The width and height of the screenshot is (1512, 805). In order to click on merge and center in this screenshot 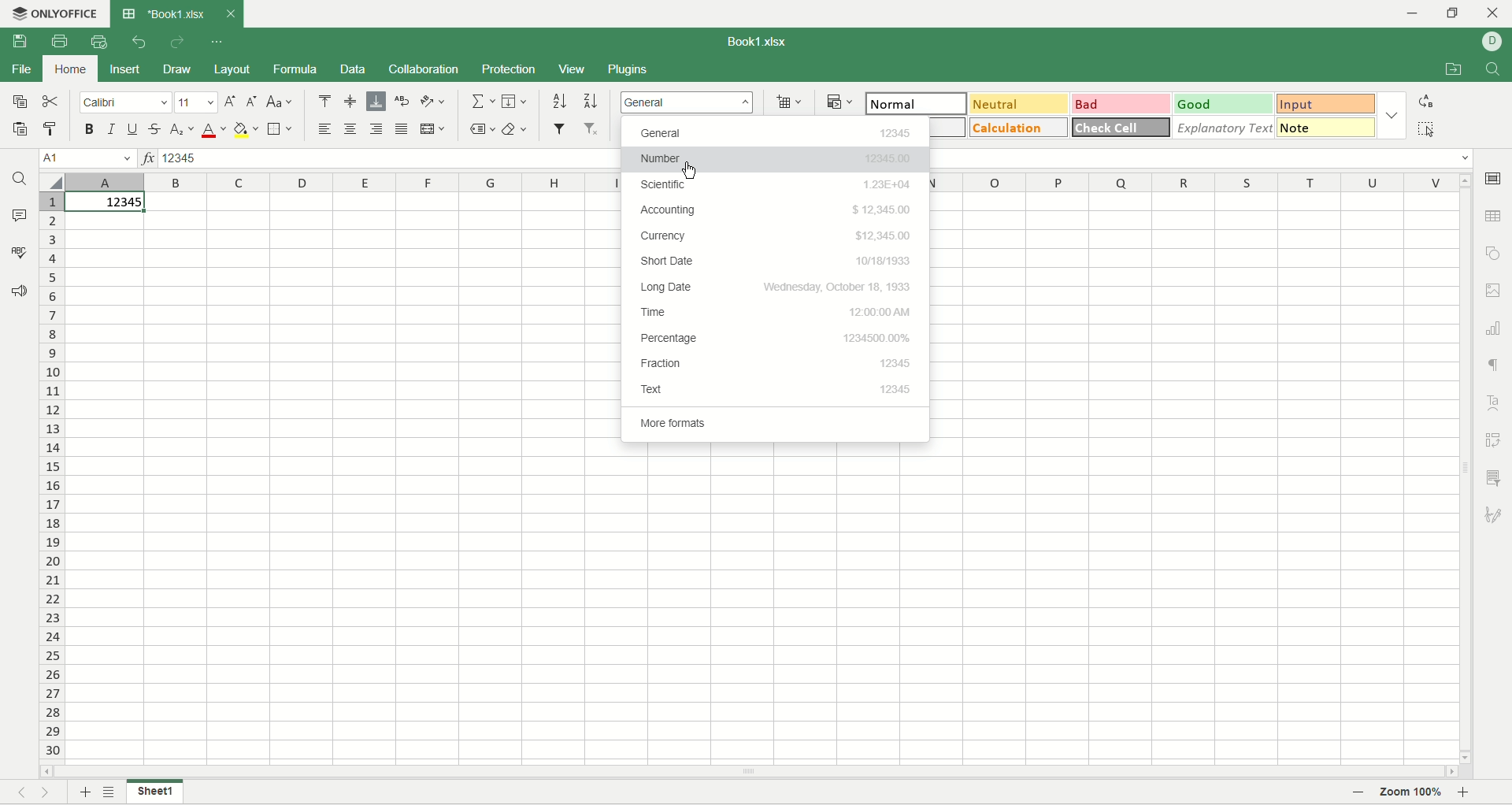, I will do `click(432, 131)`.